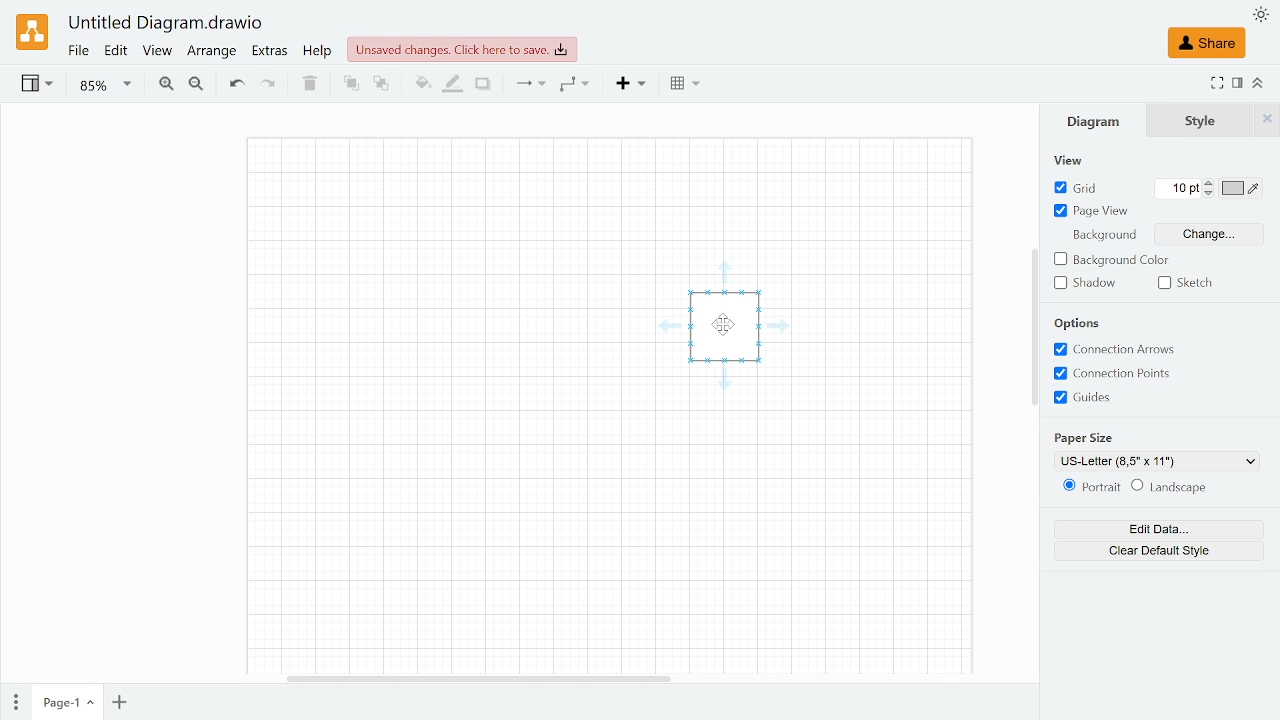 The height and width of the screenshot is (720, 1280). I want to click on options, so click(1080, 323).